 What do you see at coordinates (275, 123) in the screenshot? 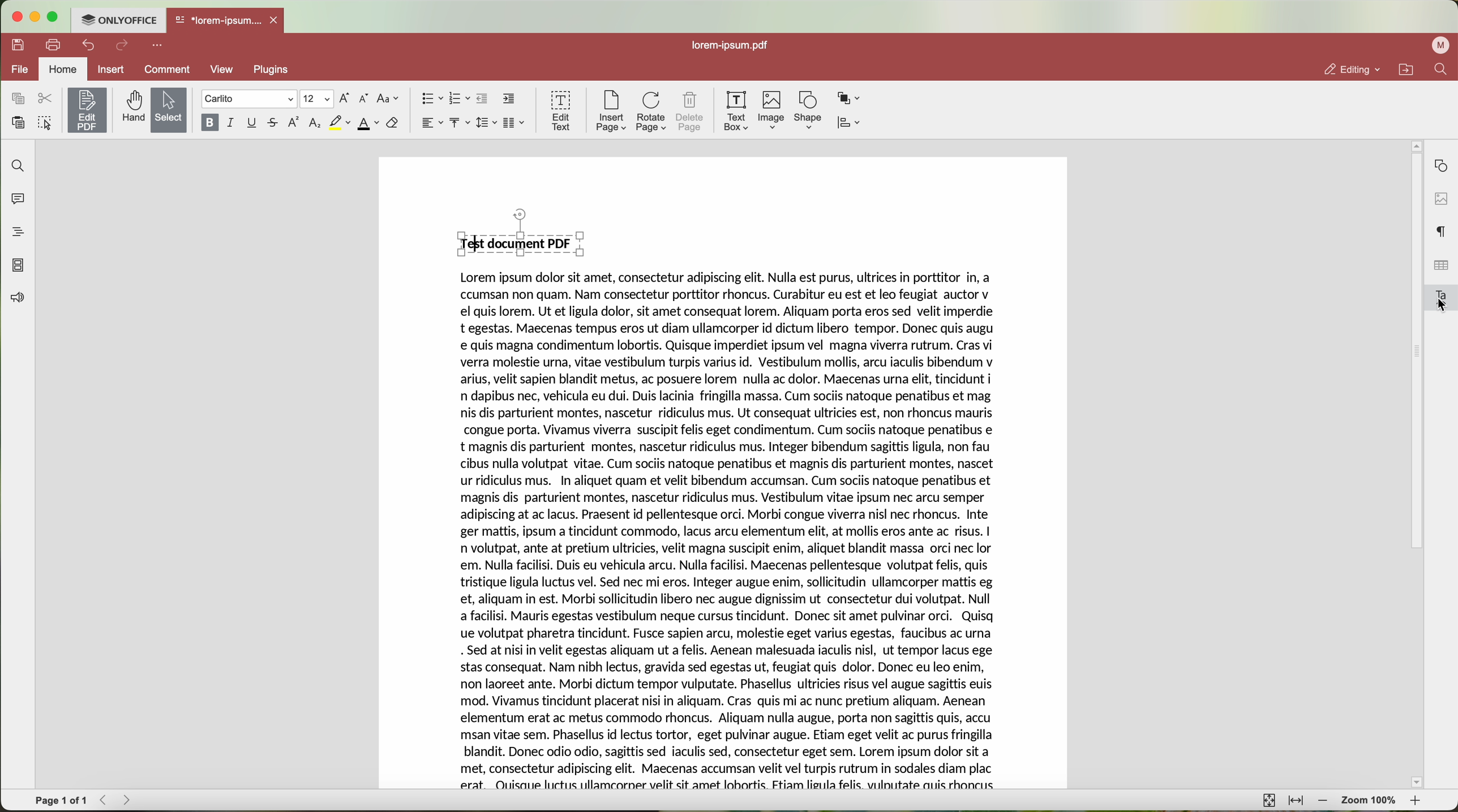
I see `strikeout` at bounding box center [275, 123].